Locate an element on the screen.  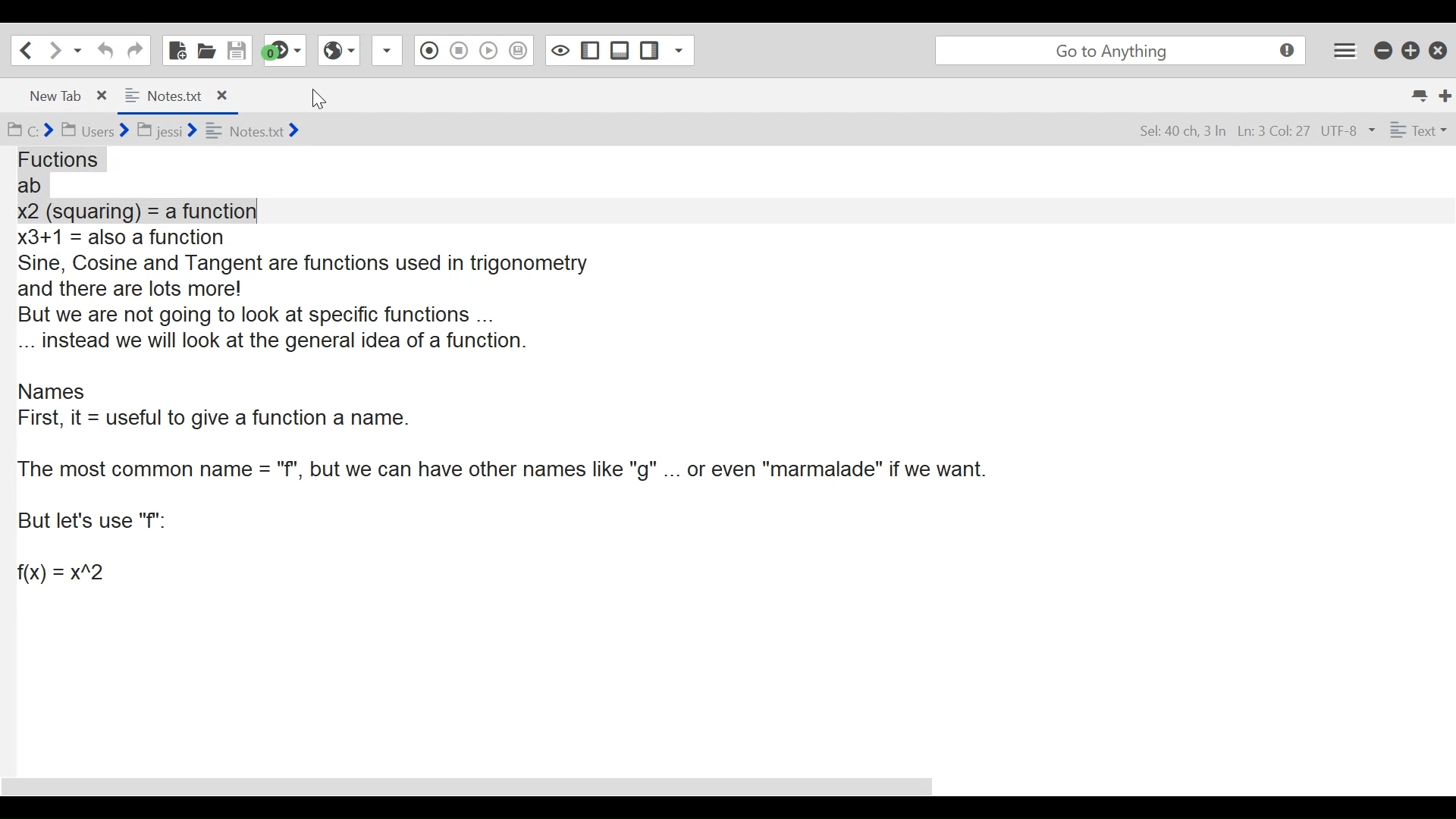
Current Tab is located at coordinates (177, 95).